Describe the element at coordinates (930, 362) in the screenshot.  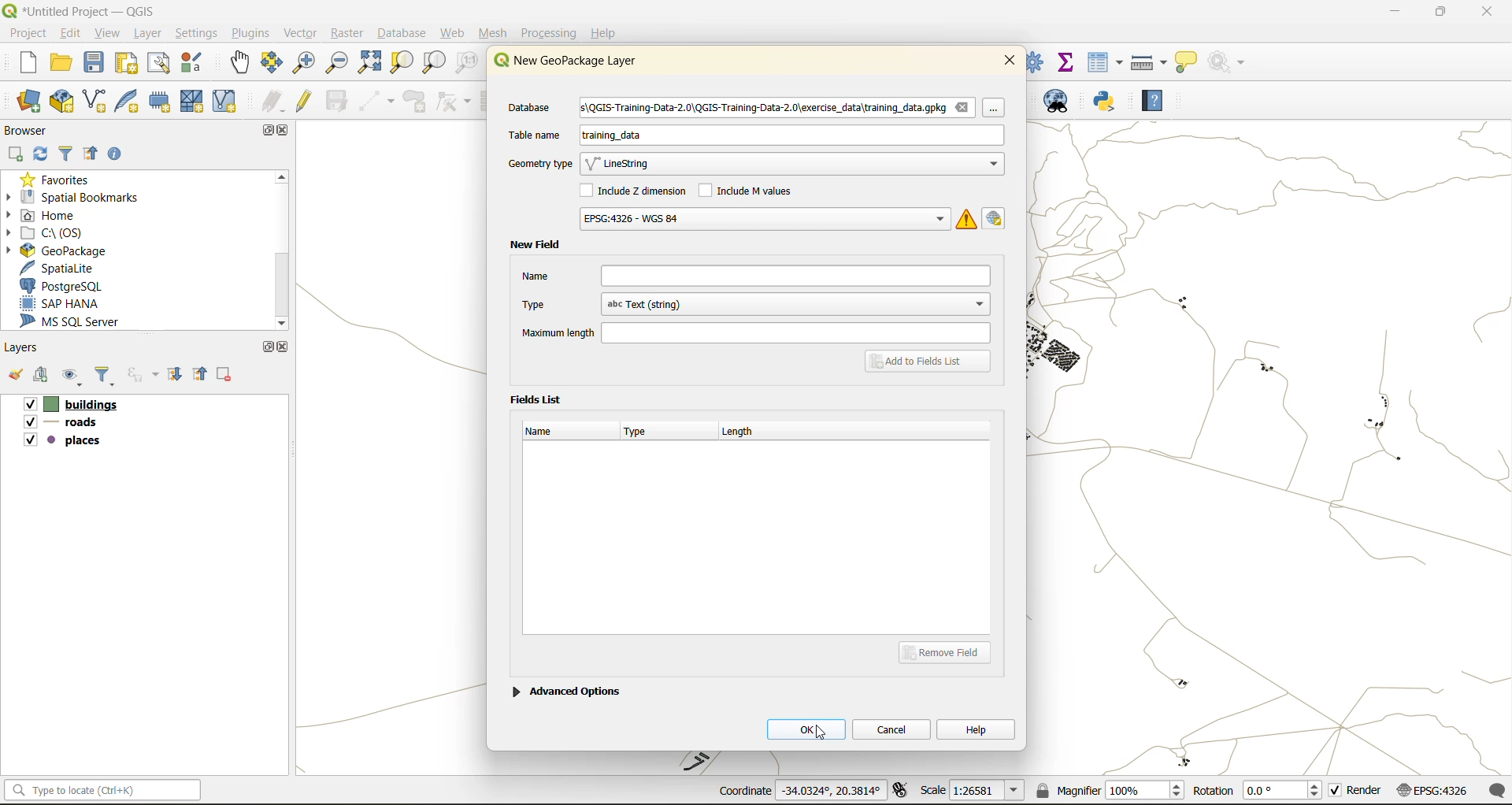
I see `add to fields list` at that location.